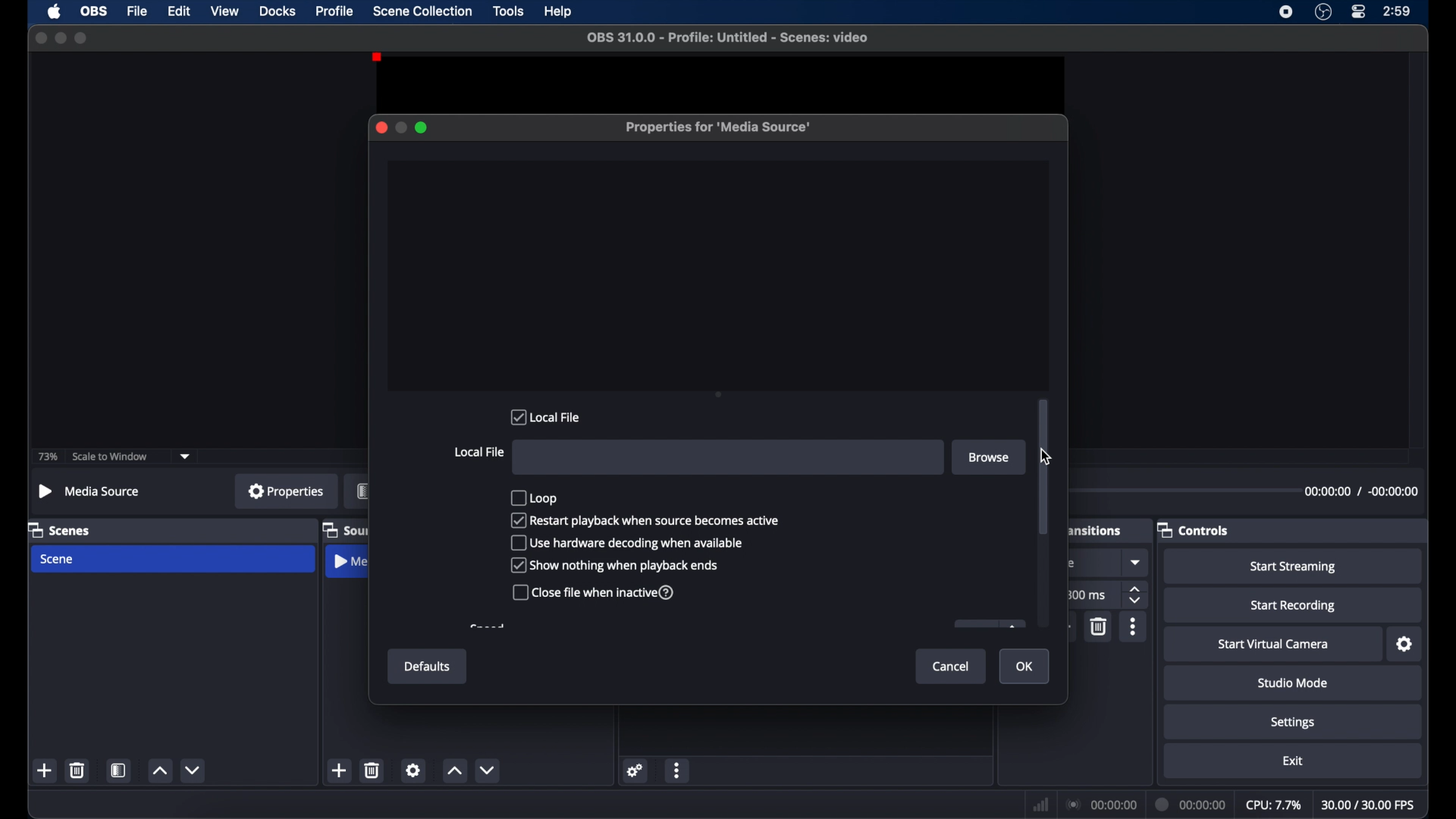 Image resolution: width=1456 pixels, height=819 pixels. I want to click on edit, so click(179, 12).